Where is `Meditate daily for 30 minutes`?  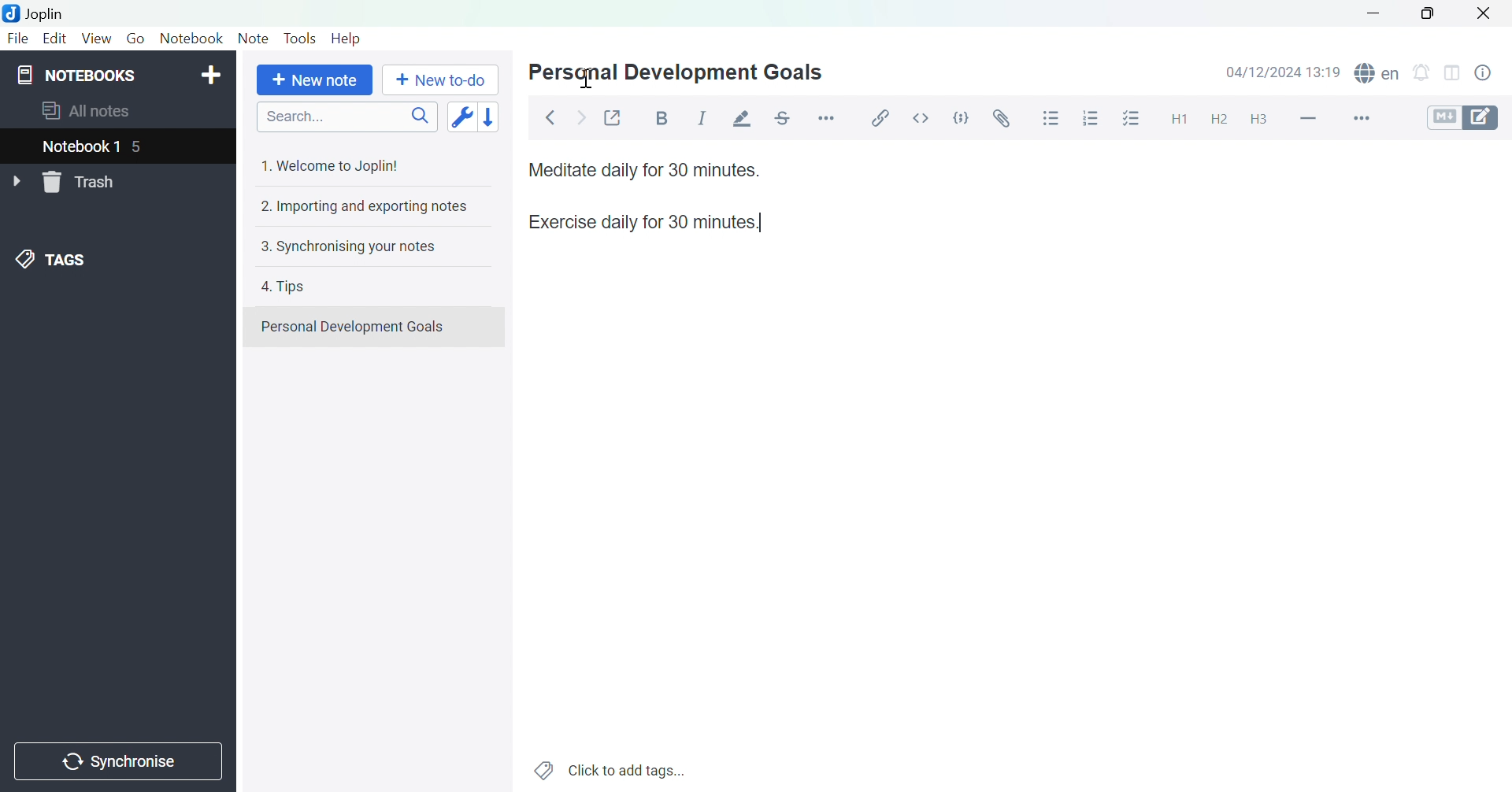 Meditate daily for 30 minutes is located at coordinates (643, 169).